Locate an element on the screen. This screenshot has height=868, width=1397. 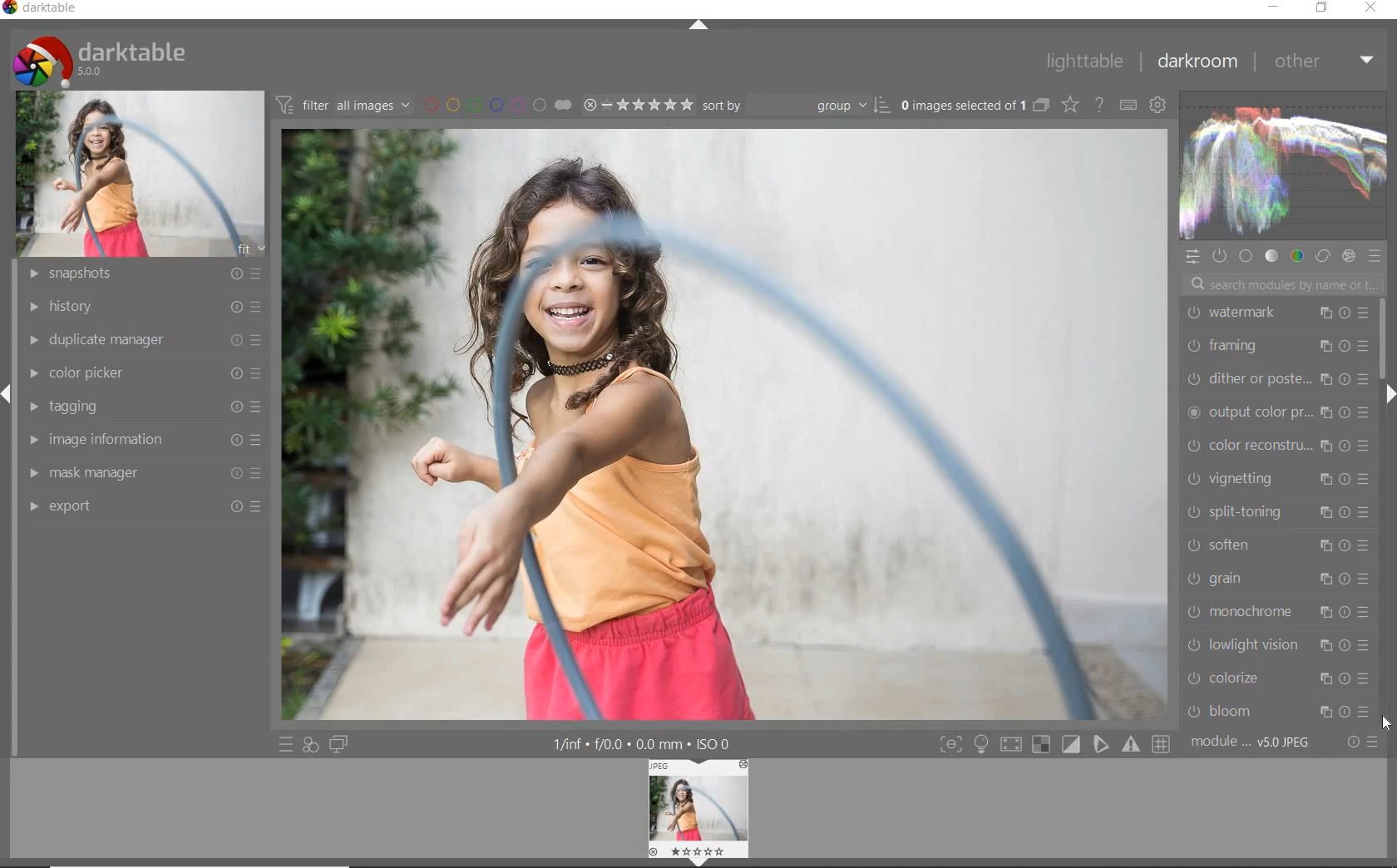
color is located at coordinates (1296, 255).